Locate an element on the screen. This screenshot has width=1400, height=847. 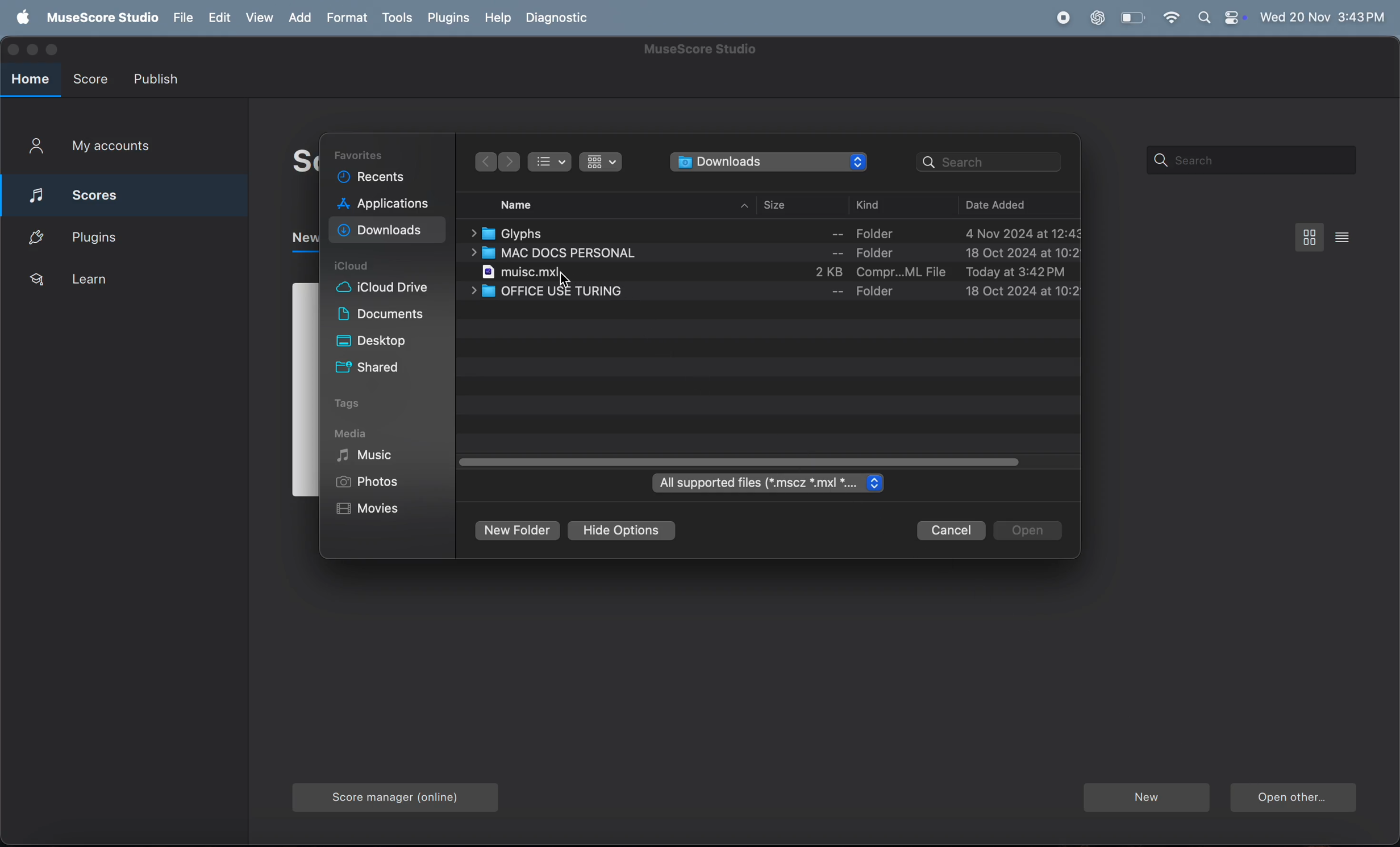
edit is located at coordinates (218, 16).